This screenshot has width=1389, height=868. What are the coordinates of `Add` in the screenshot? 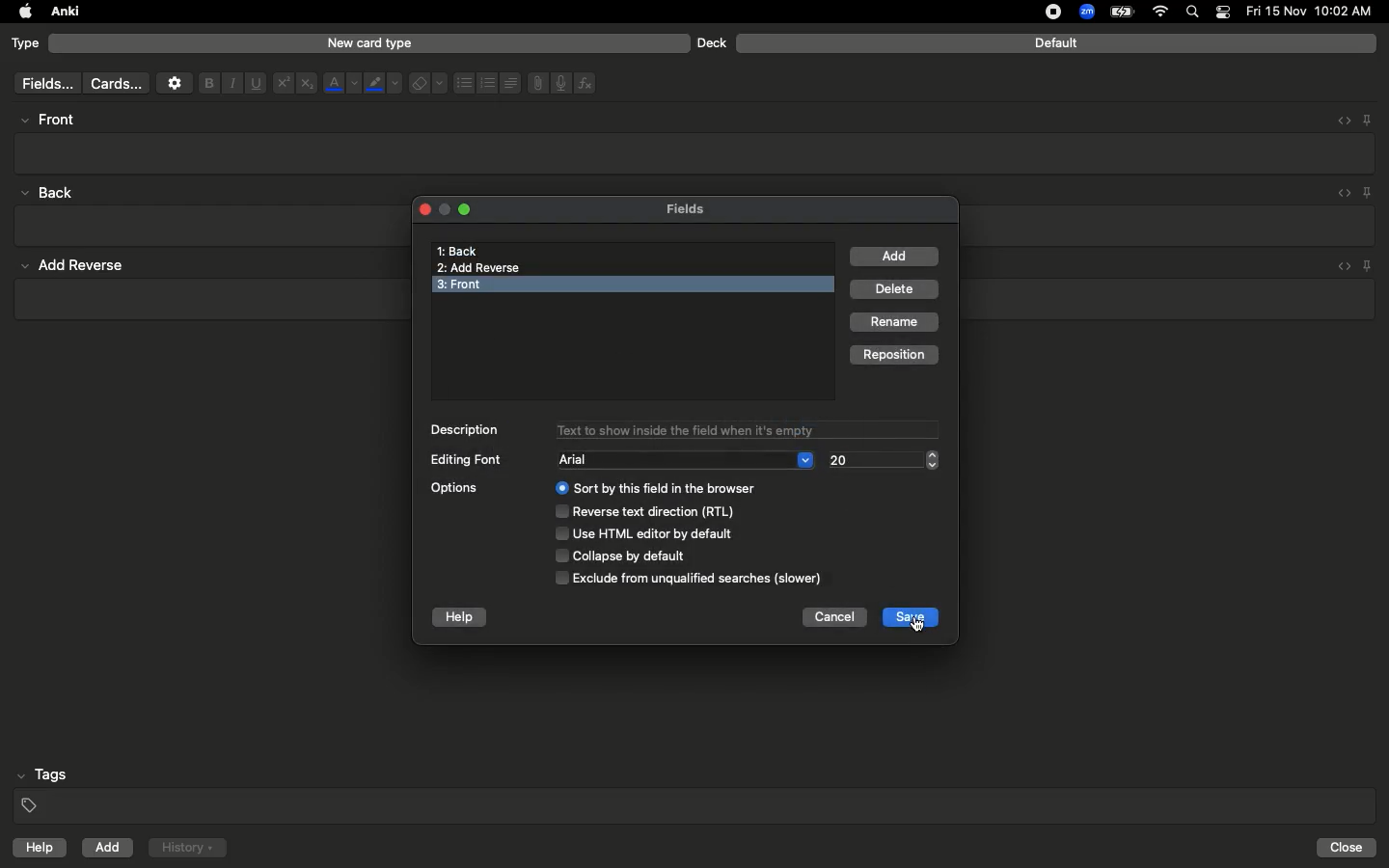 It's located at (109, 848).